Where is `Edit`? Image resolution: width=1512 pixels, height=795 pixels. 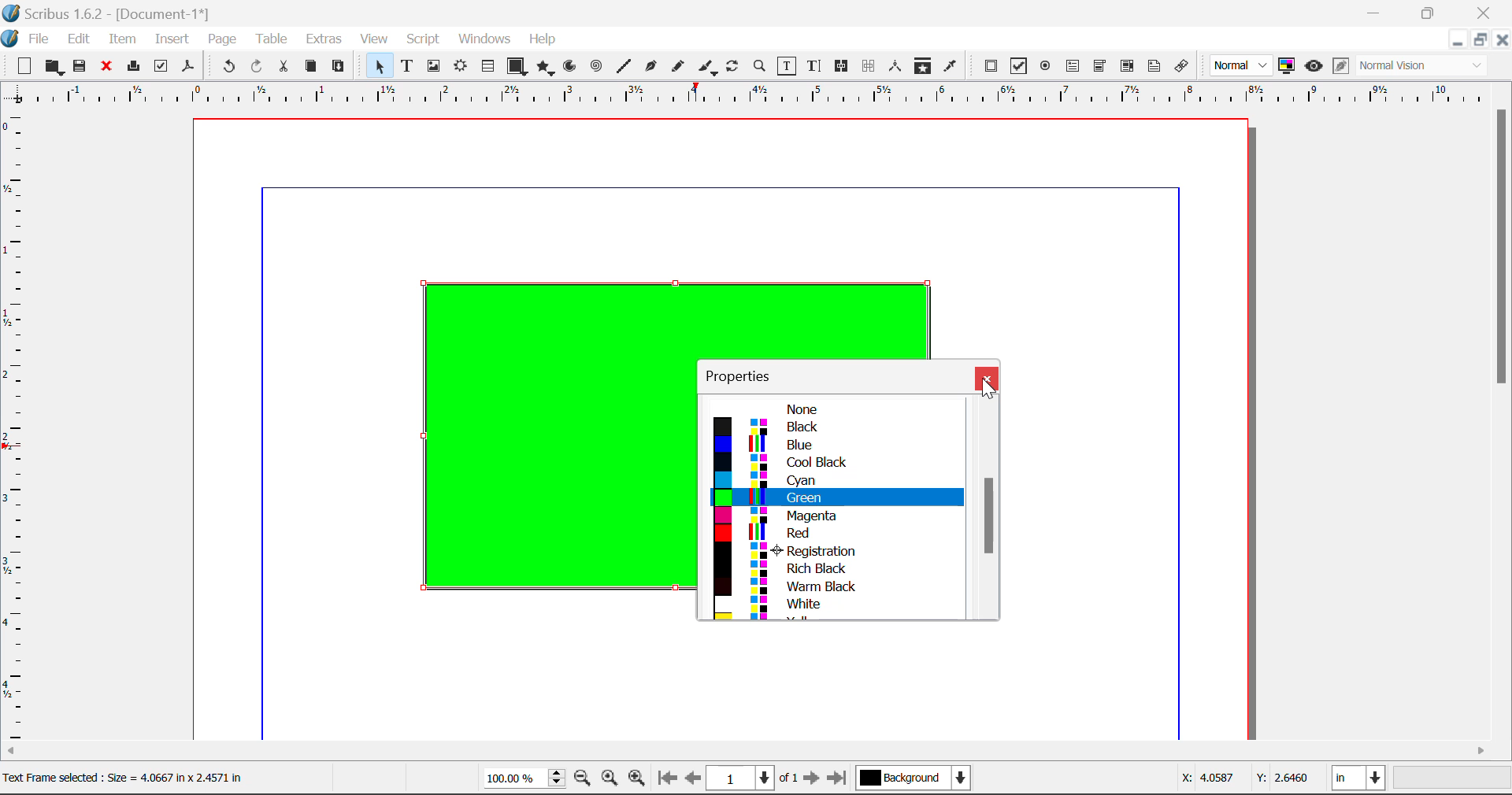
Edit is located at coordinates (79, 38).